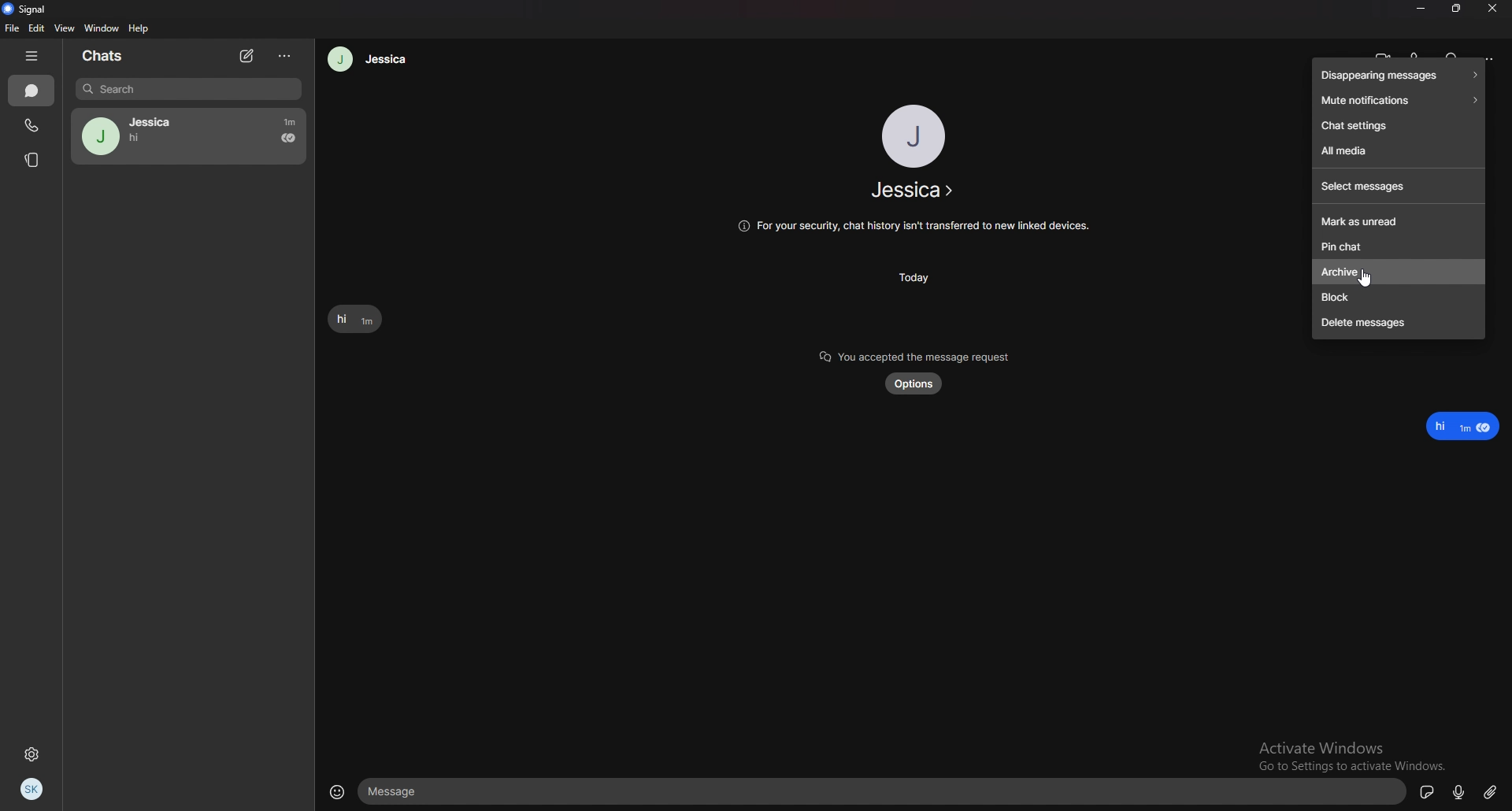 Image resolution: width=1512 pixels, height=811 pixels. What do you see at coordinates (335, 791) in the screenshot?
I see `emojis` at bounding box center [335, 791].